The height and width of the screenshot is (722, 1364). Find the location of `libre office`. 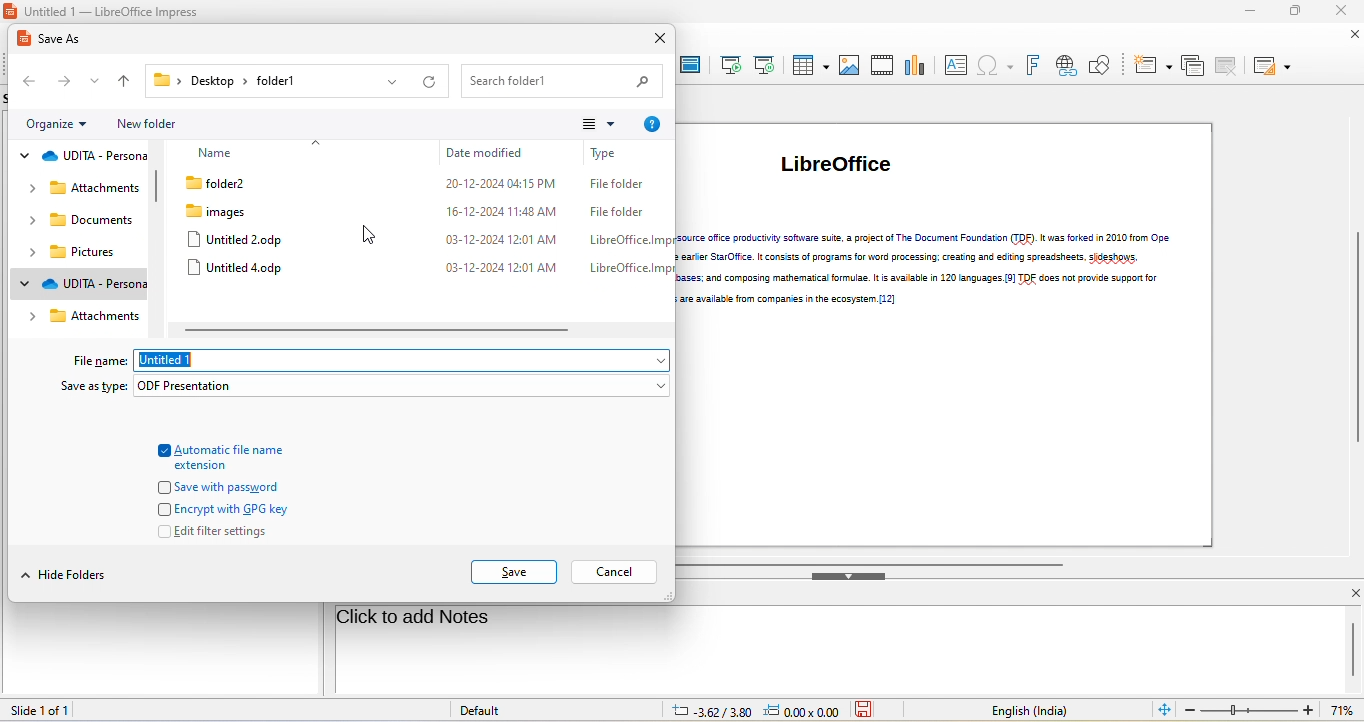

libre office is located at coordinates (844, 170).